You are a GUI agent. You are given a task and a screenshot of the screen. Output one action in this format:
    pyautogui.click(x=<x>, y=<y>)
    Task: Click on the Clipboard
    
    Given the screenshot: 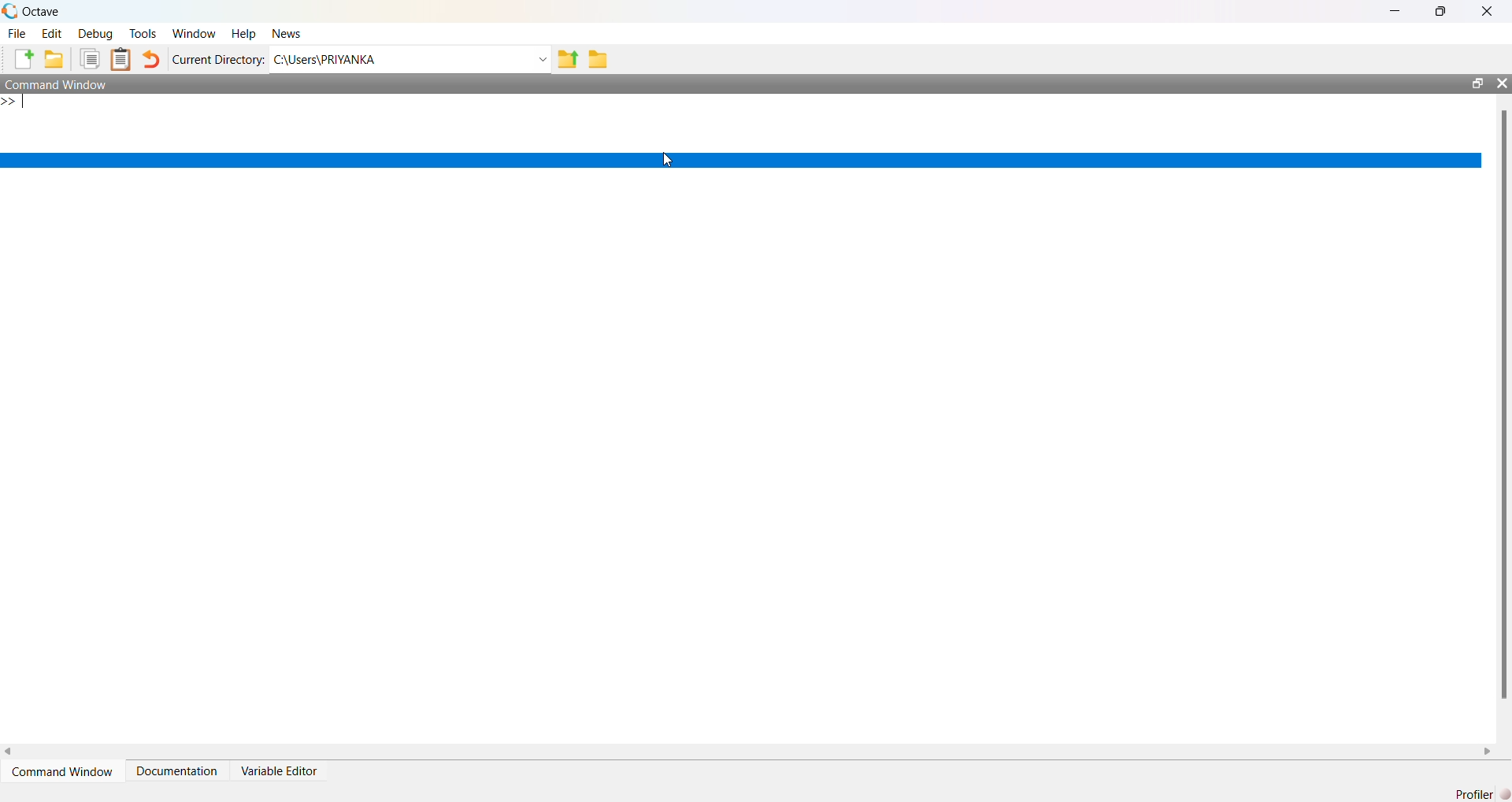 What is the action you would take?
    pyautogui.click(x=120, y=59)
    